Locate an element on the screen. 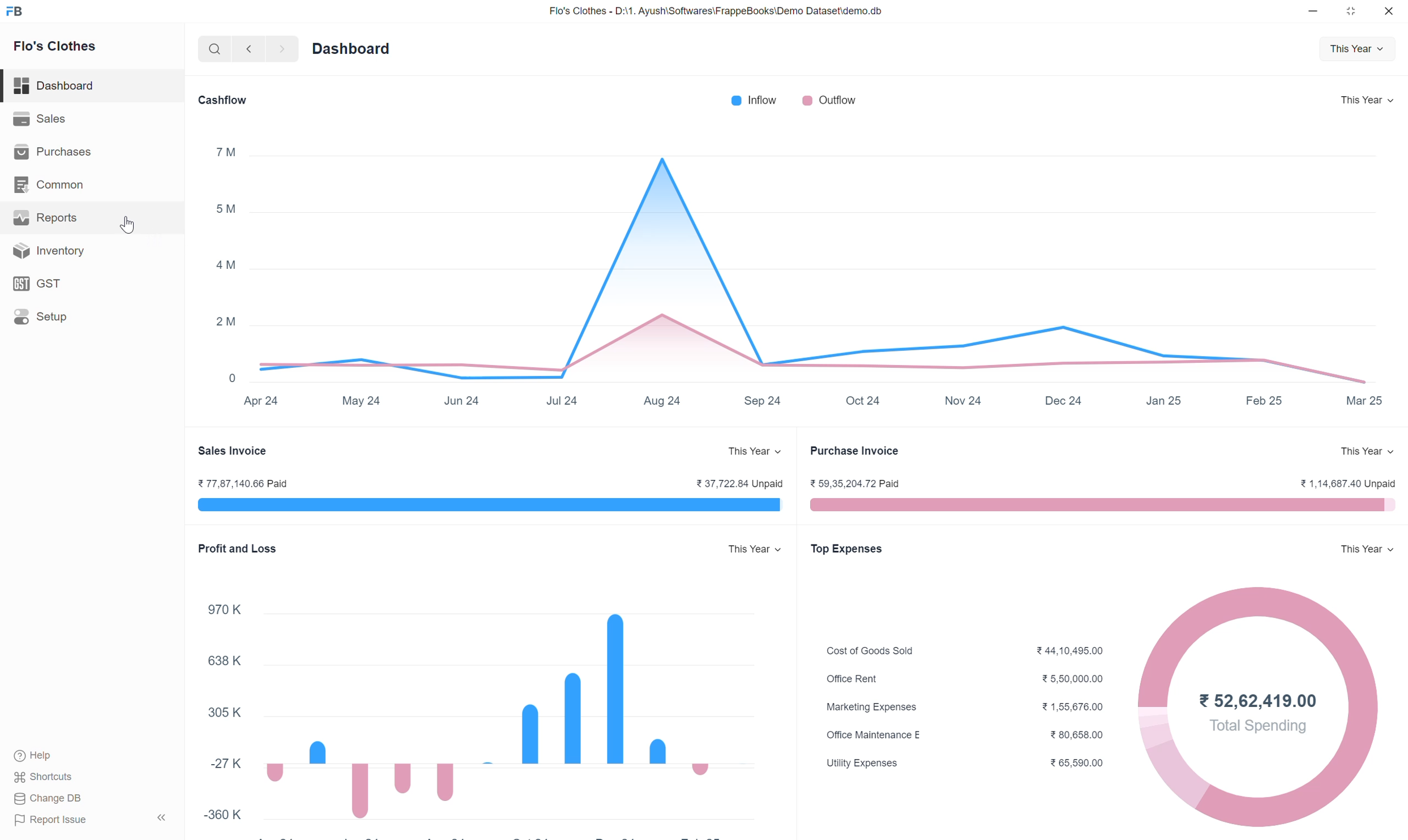 The width and height of the screenshot is (1408, 840). Total Spending is located at coordinates (1250, 726).